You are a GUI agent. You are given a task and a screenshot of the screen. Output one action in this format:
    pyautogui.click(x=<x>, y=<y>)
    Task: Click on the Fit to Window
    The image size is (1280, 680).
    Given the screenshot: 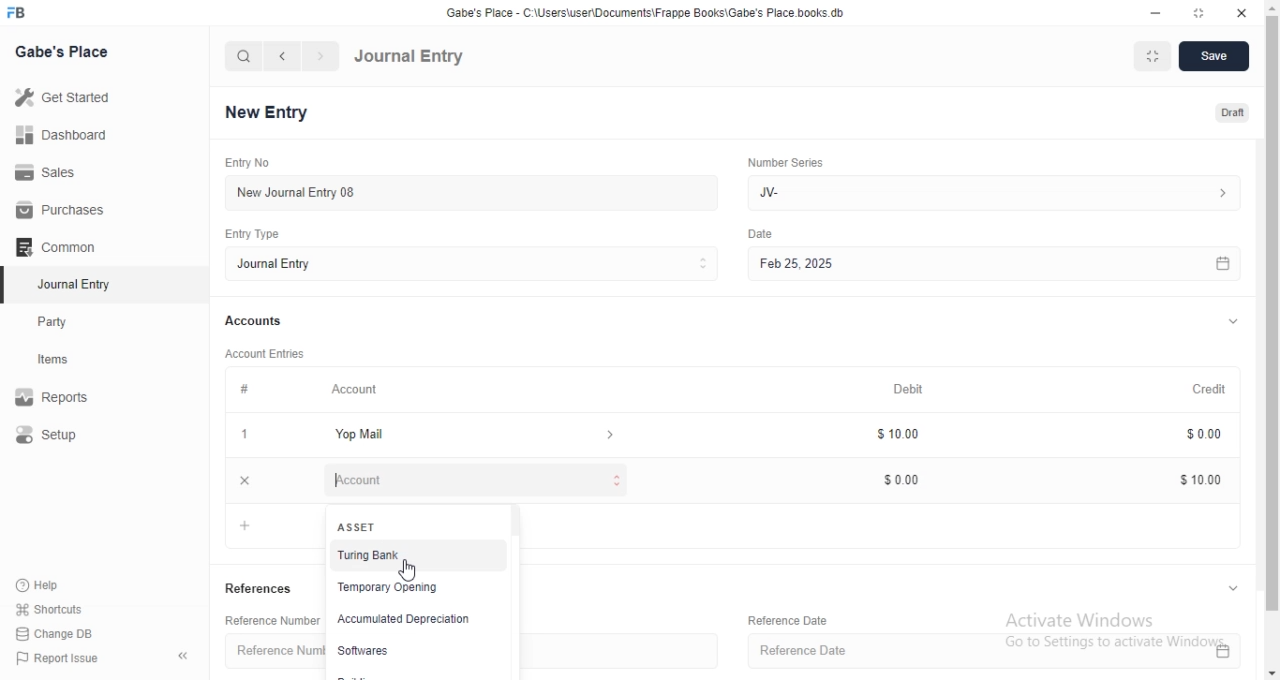 What is the action you would take?
    pyautogui.click(x=1154, y=56)
    